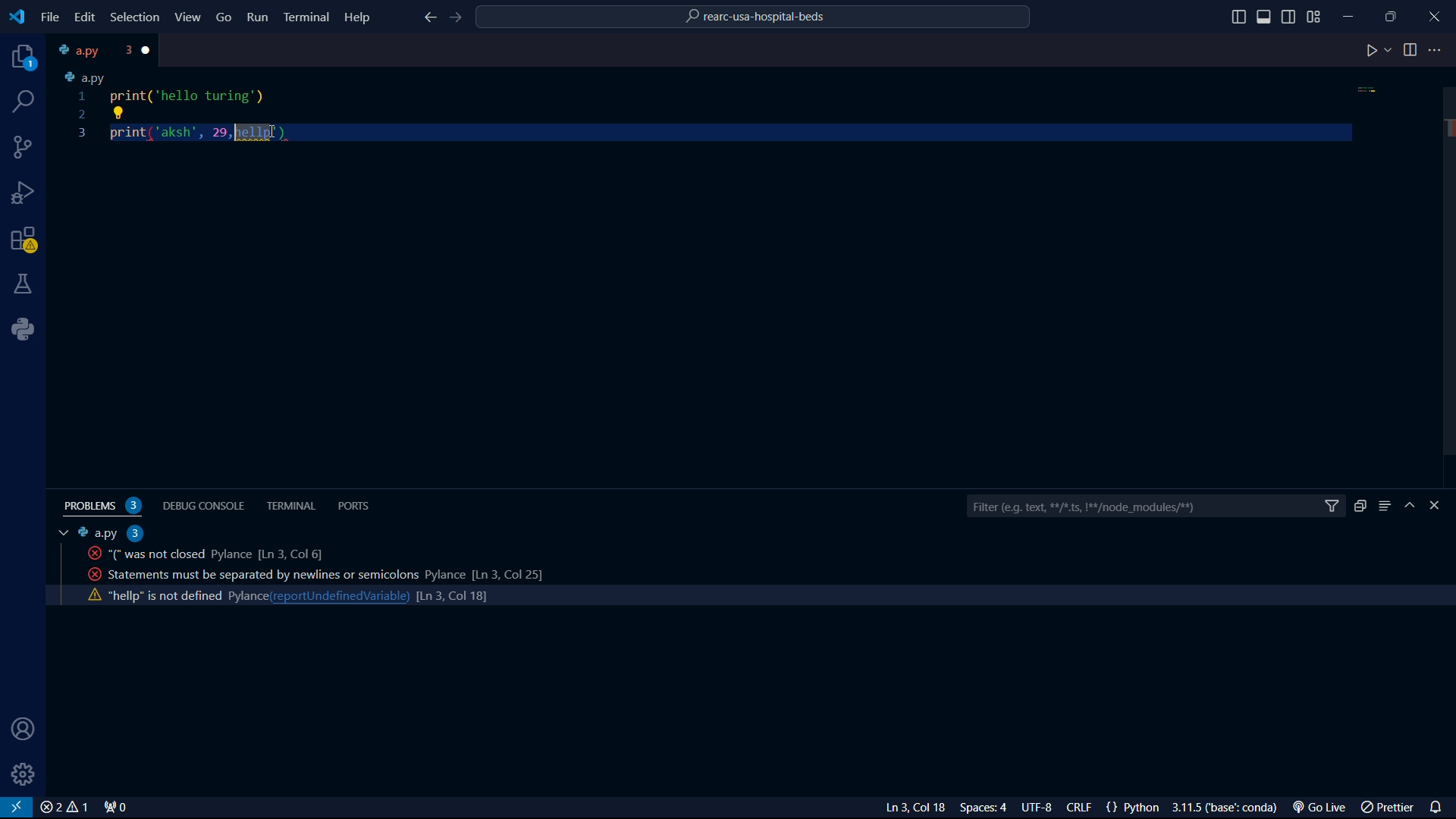 This screenshot has height=819, width=1456. Describe the element at coordinates (28, 329) in the screenshot. I see `python` at that location.